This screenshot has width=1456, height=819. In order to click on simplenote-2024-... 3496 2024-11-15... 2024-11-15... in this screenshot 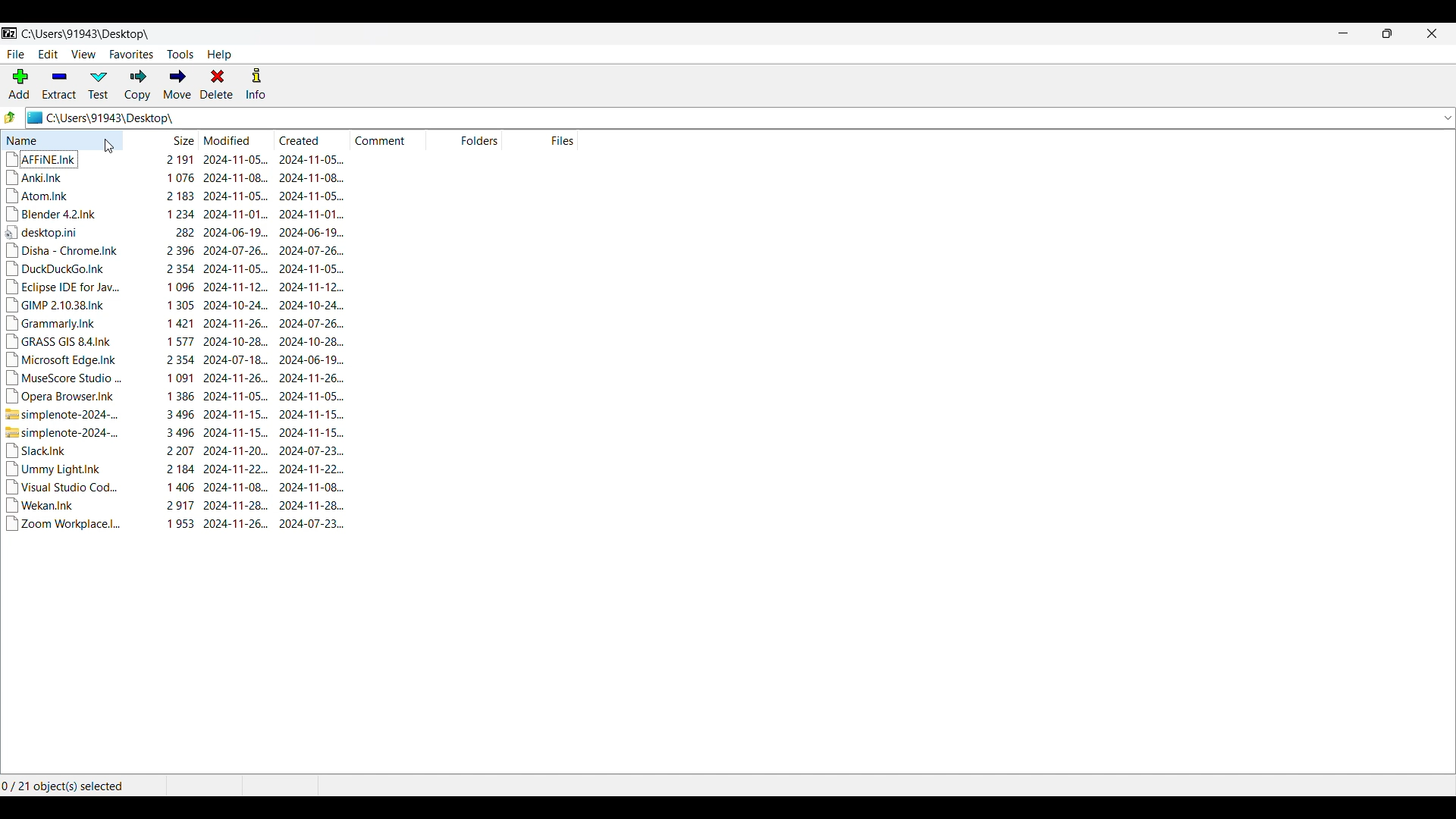, I will do `click(175, 415)`.